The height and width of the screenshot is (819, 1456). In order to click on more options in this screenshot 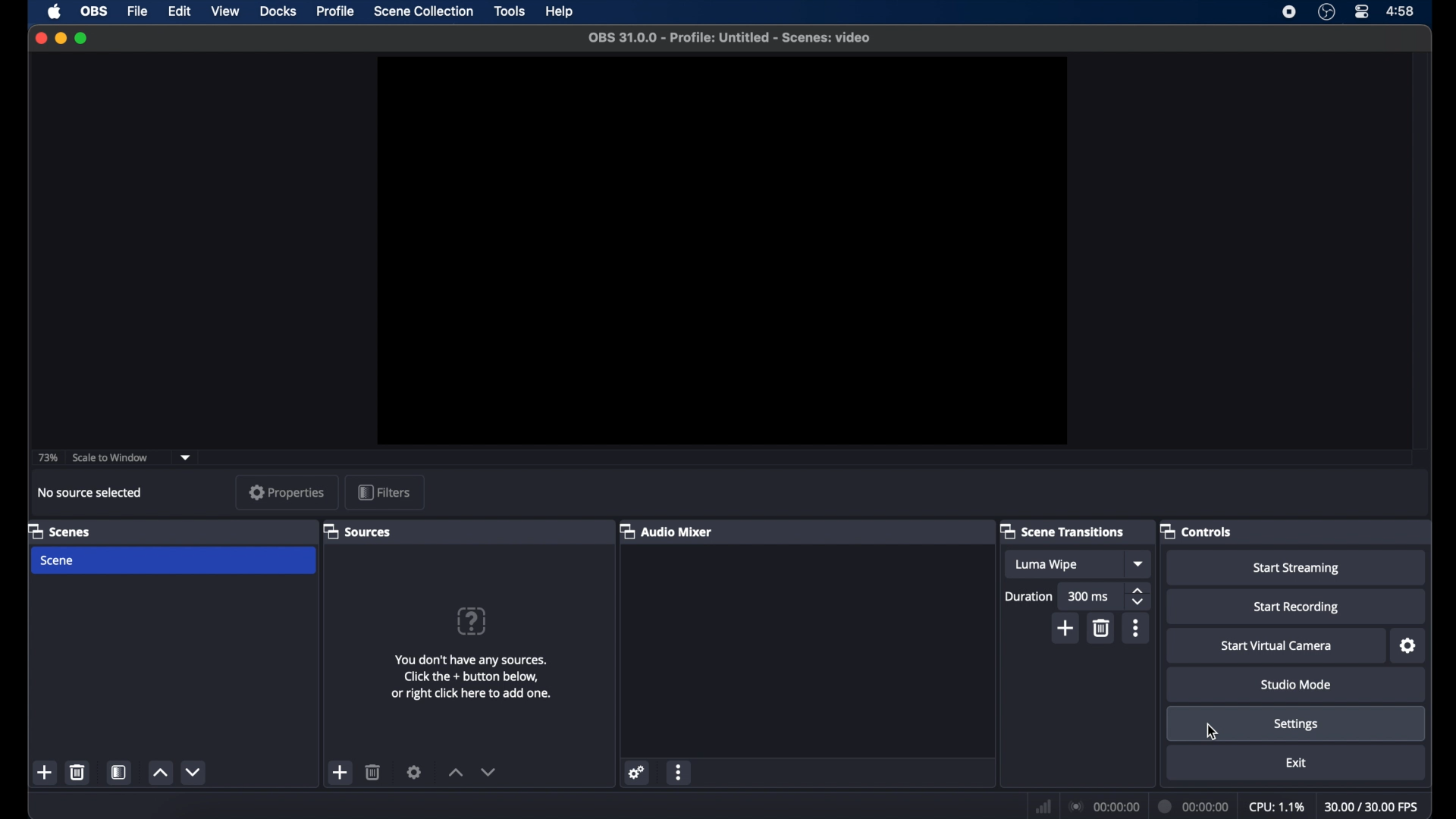, I will do `click(1134, 627)`.